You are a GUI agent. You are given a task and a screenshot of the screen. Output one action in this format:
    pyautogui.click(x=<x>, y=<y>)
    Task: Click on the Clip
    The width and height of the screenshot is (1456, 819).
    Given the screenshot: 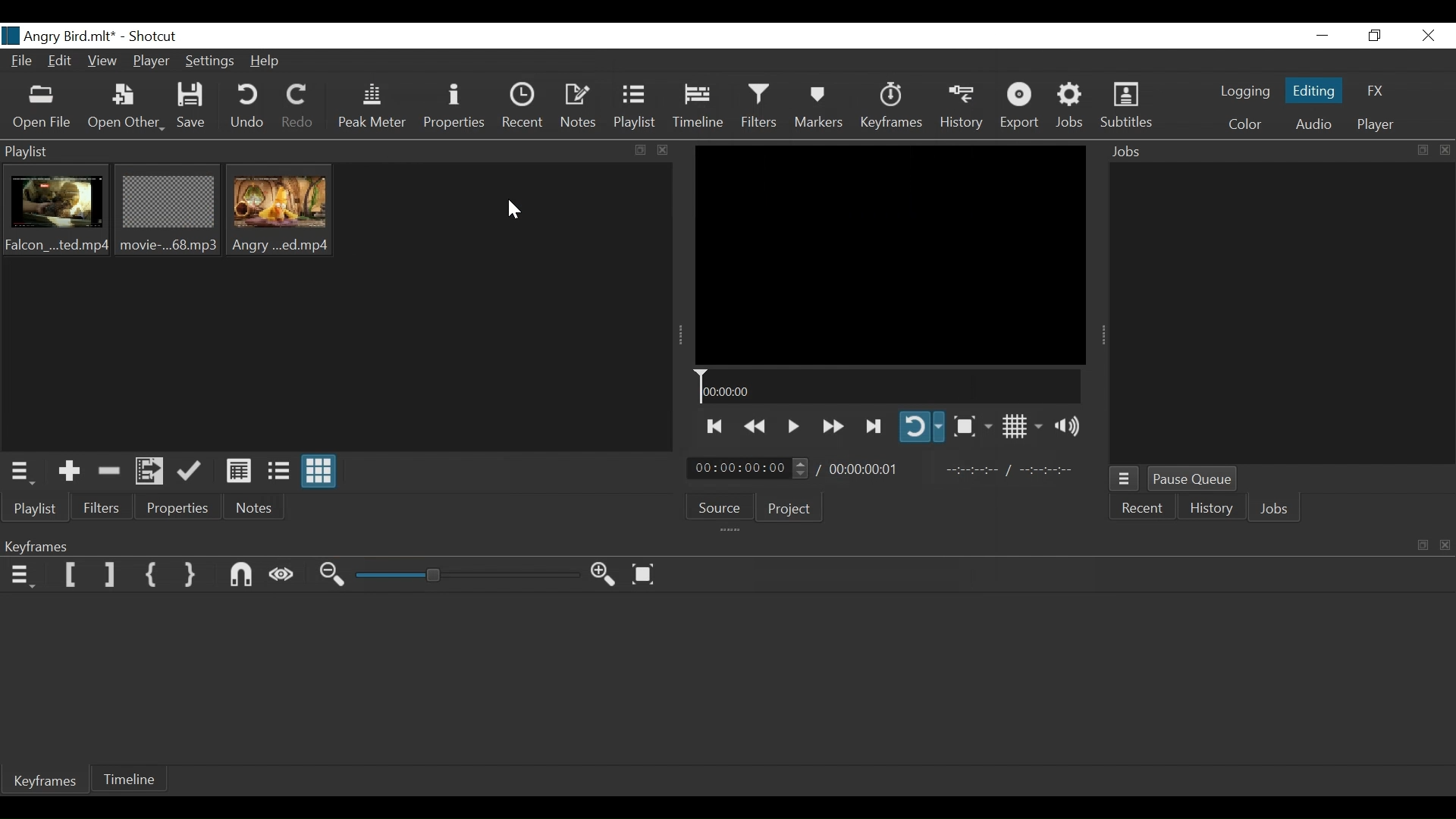 What is the action you would take?
    pyautogui.click(x=60, y=214)
    